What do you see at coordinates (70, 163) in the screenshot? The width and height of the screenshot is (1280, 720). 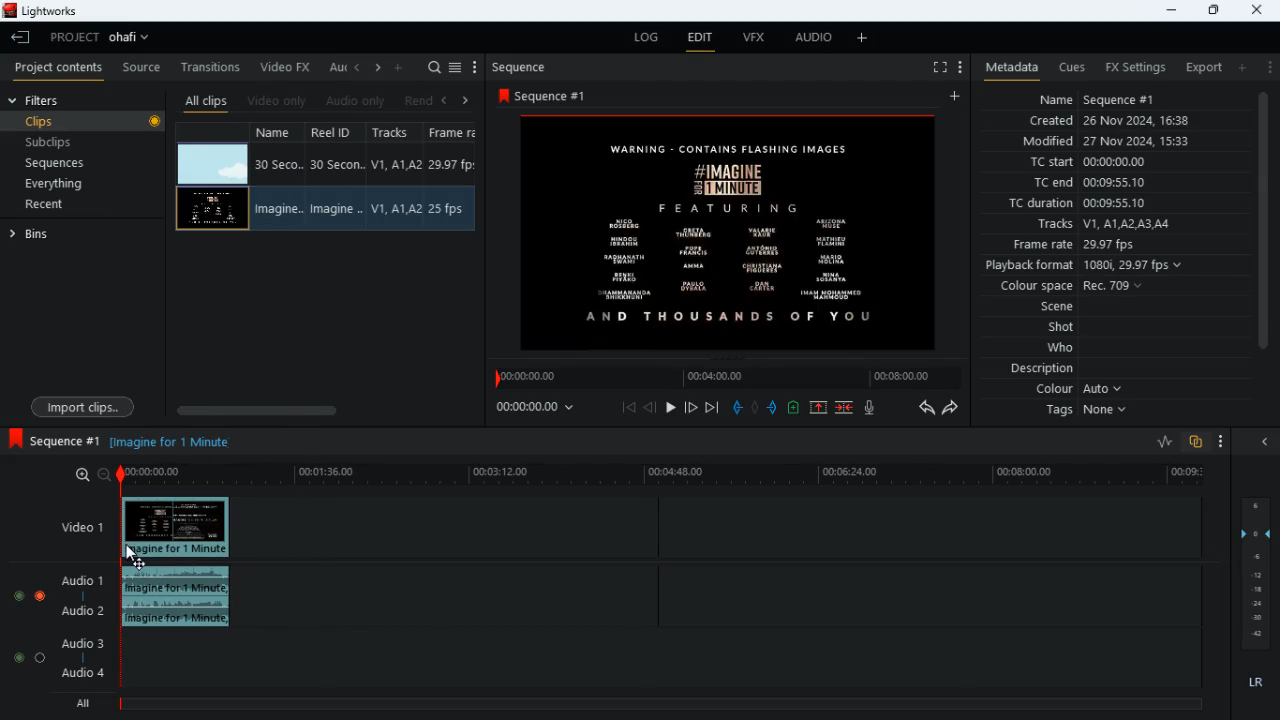 I see `sequences` at bounding box center [70, 163].